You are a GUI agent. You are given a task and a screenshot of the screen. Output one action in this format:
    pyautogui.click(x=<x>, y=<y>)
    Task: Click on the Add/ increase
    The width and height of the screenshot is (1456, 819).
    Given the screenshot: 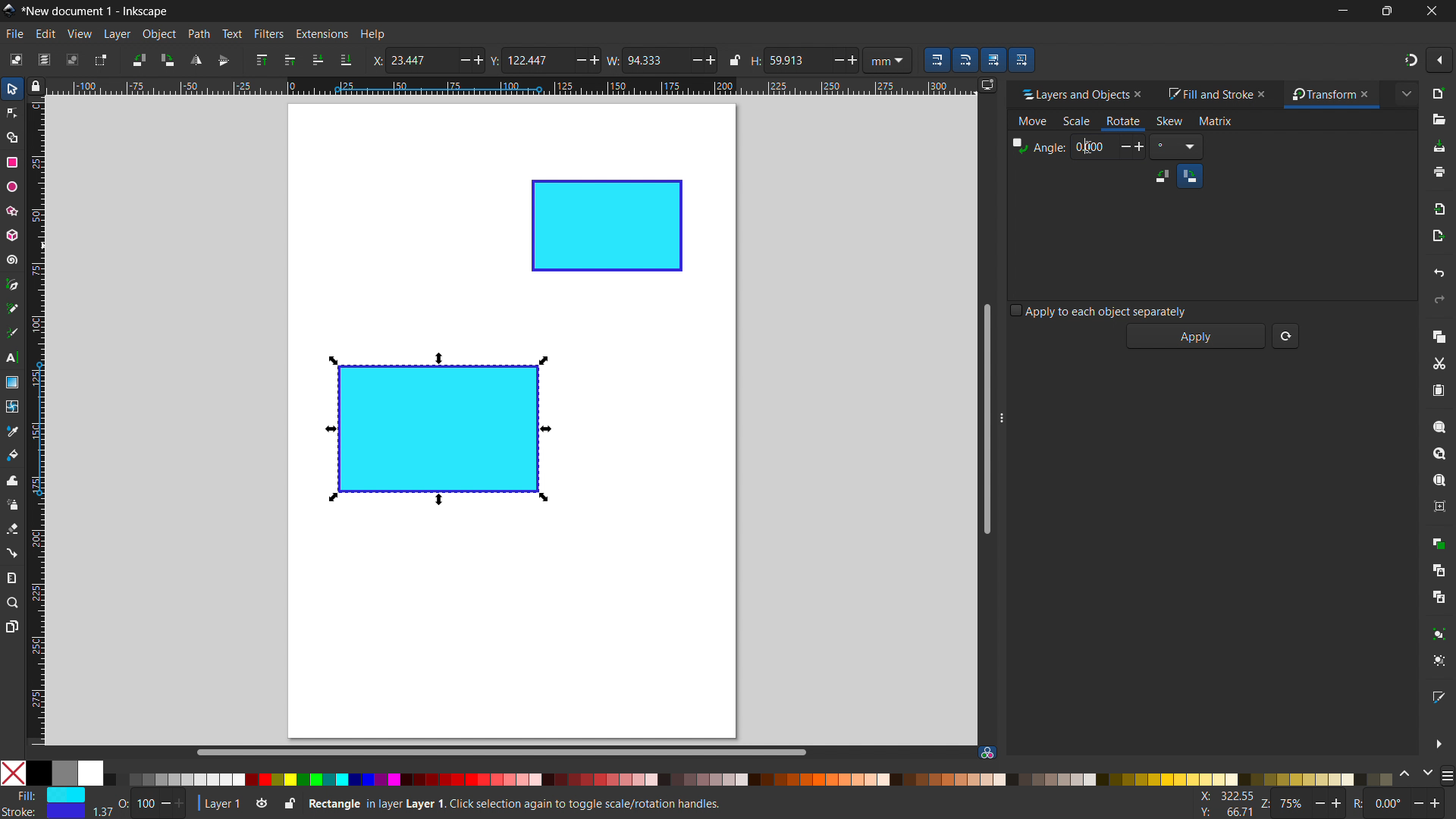 What is the action you would take?
    pyautogui.click(x=710, y=59)
    